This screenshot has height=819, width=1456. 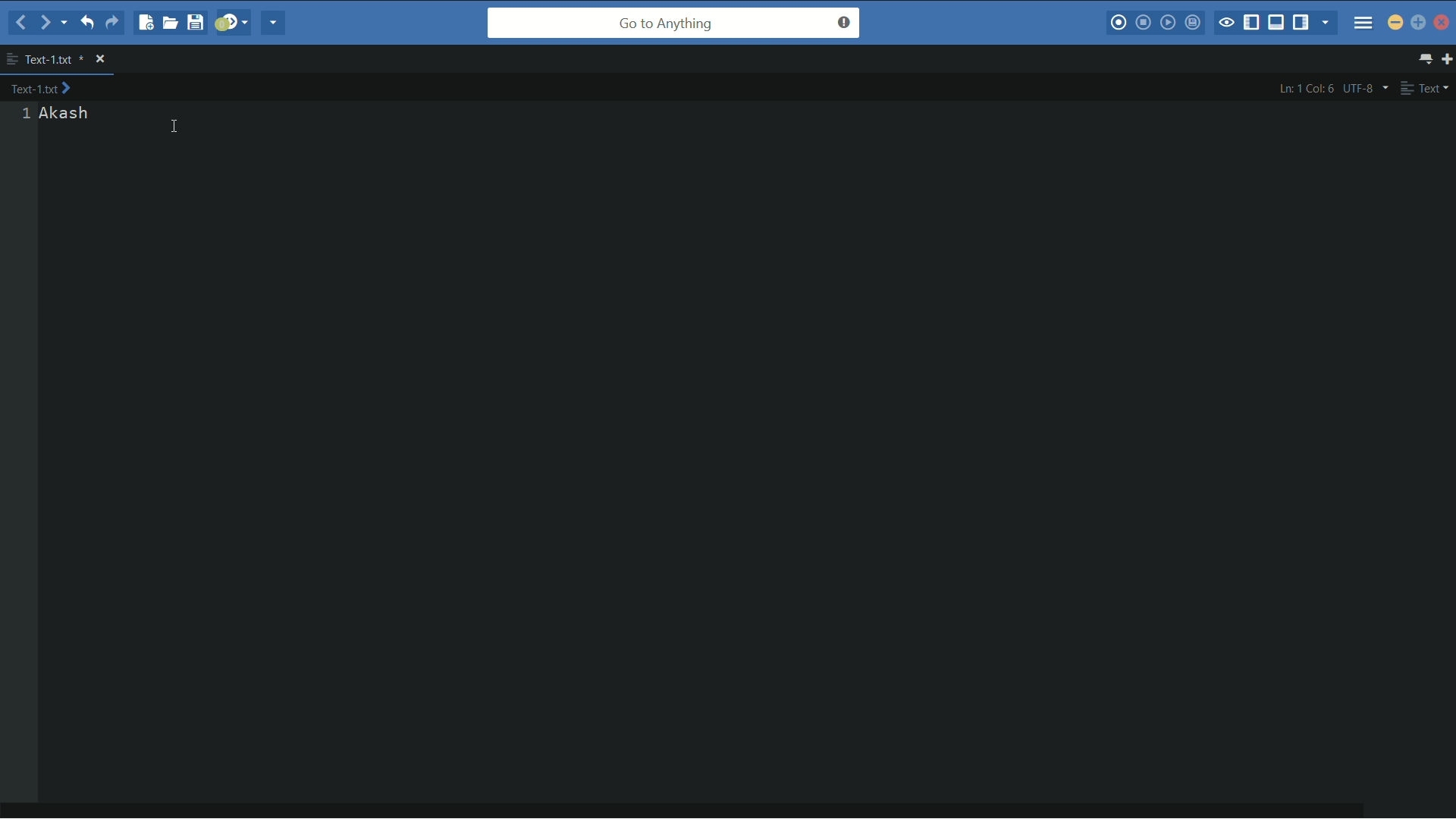 What do you see at coordinates (20, 23) in the screenshot?
I see `back` at bounding box center [20, 23].